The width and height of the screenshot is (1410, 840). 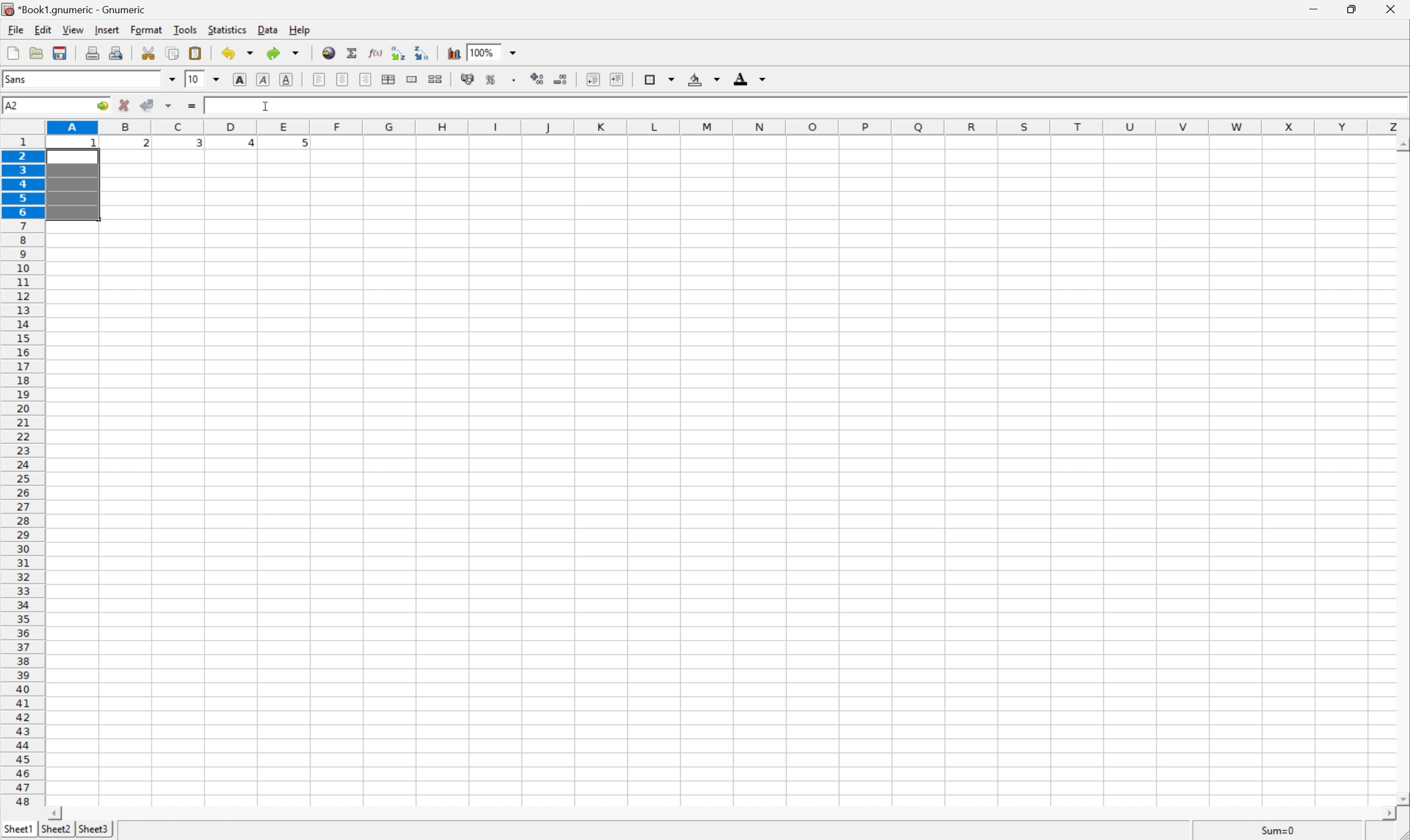 What do you see at coordinates (399, 51) in the screenshot?
I see `Sort the selected region in ascending order based on the first column selected` at bounding box center [399, 51].